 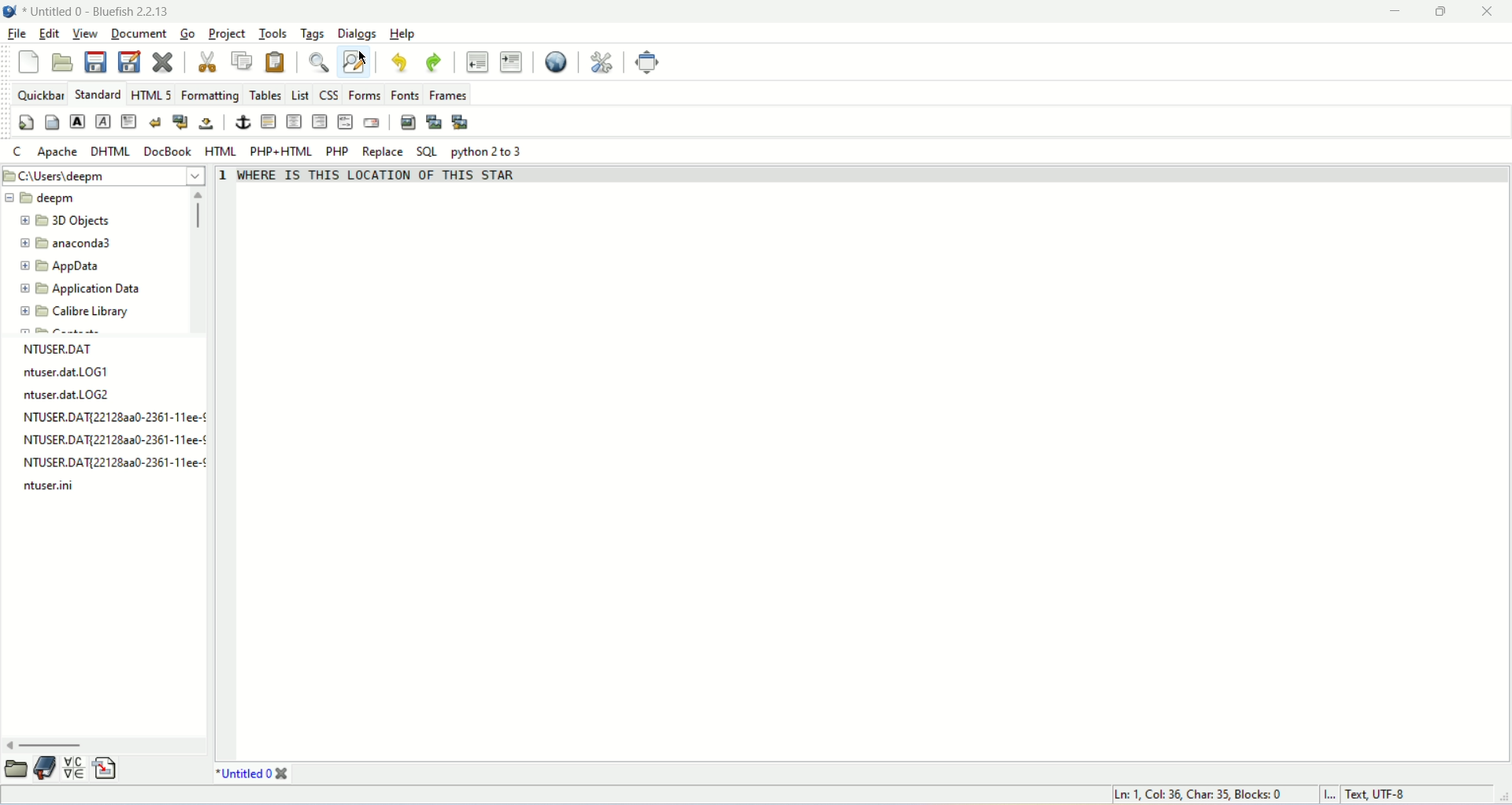 I want to click on NTUSER.DAT, so click(x=61, y=348).